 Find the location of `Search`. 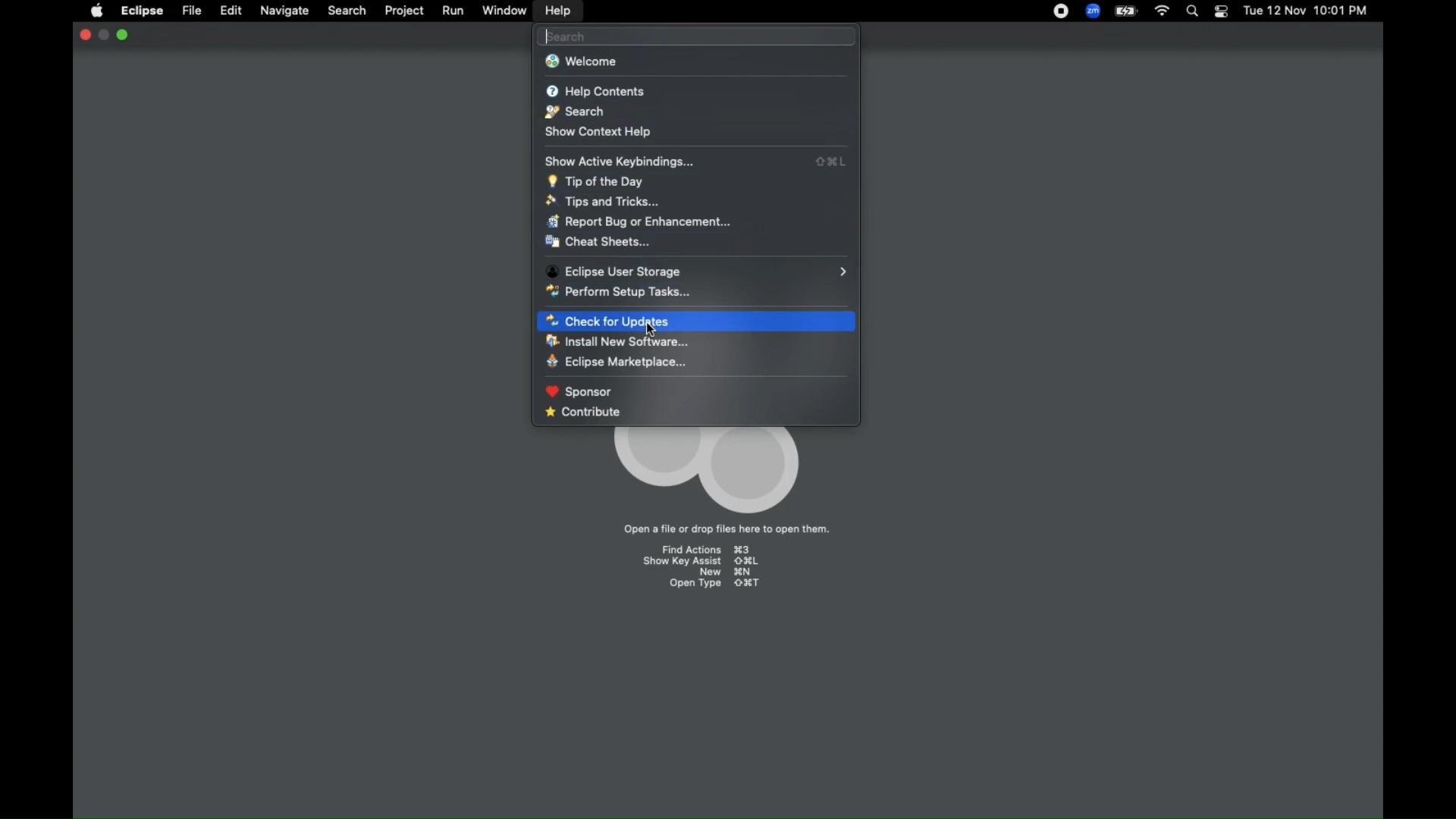

Search is located at coordinates (347, 12).